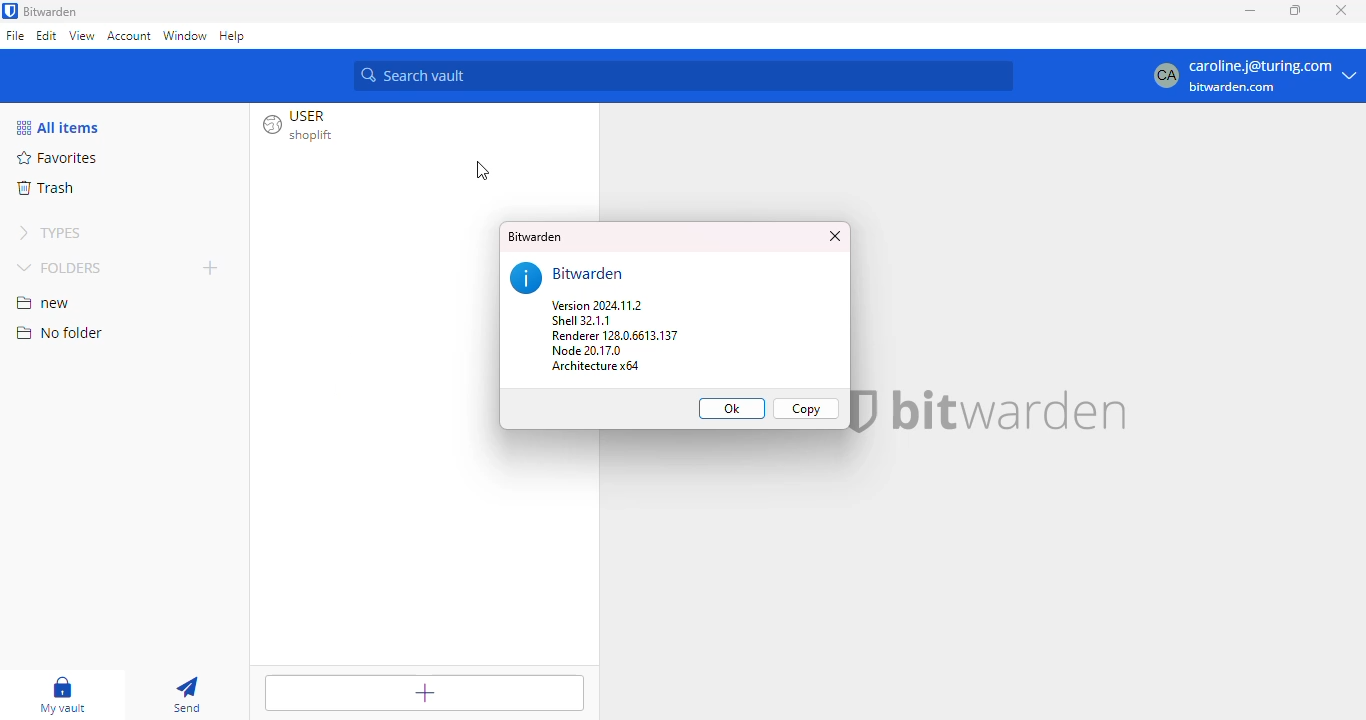 The width and height of the screenshot is (1366, 720). Describe the element at coordinates (866, 411) in the screenshot. I see `logo` at that location.